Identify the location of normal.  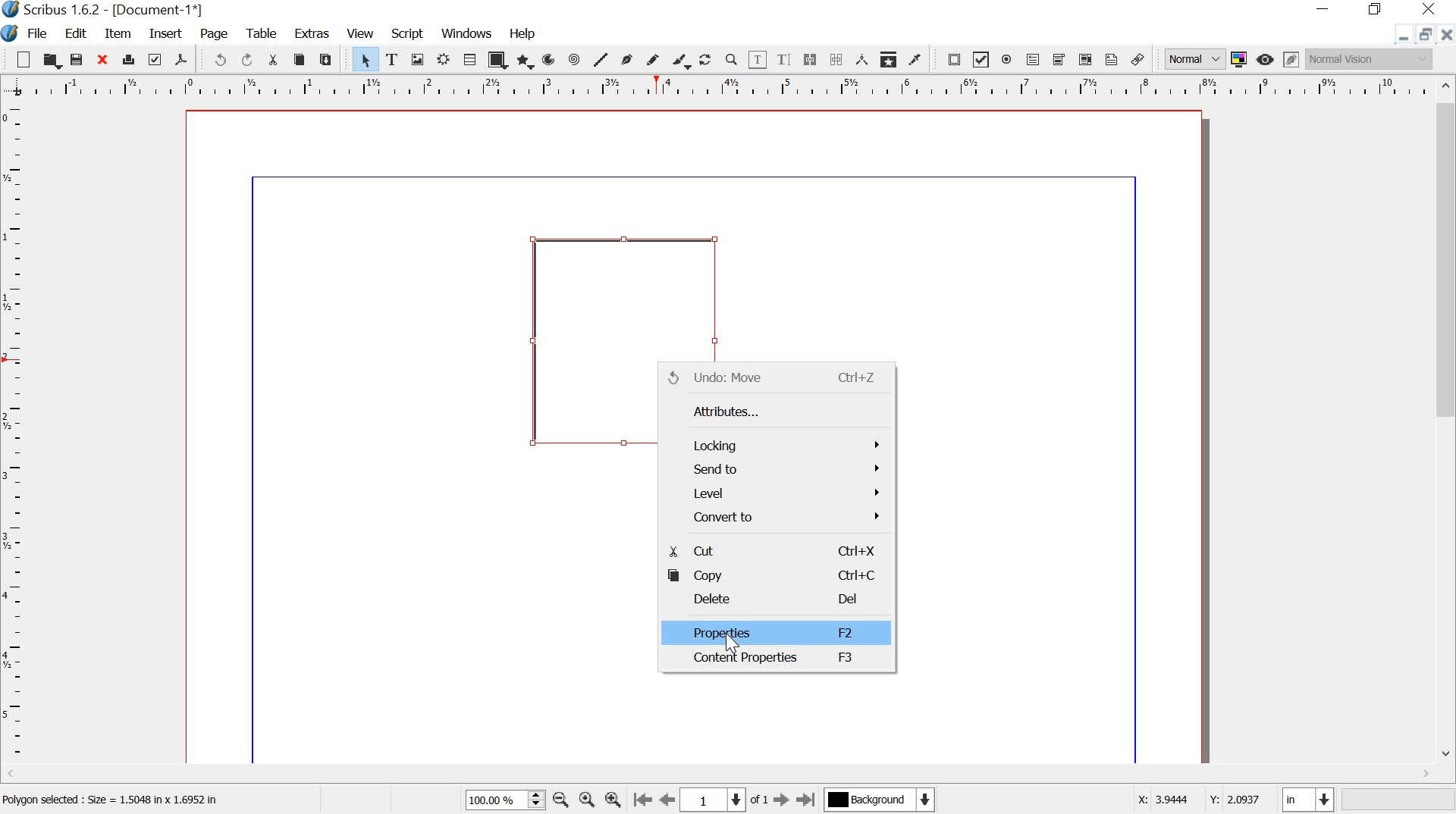
(1193, 59).